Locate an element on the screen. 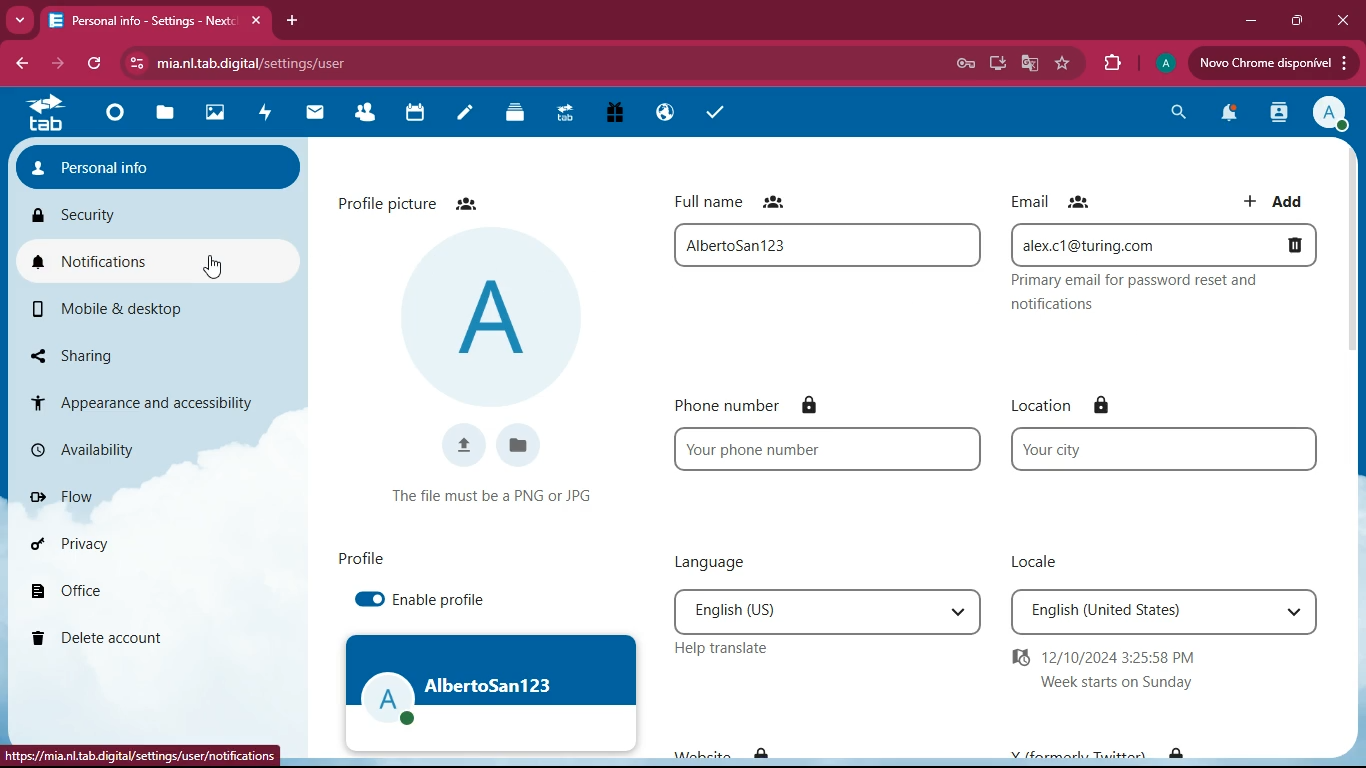  public is located at coordinates (661, 111).